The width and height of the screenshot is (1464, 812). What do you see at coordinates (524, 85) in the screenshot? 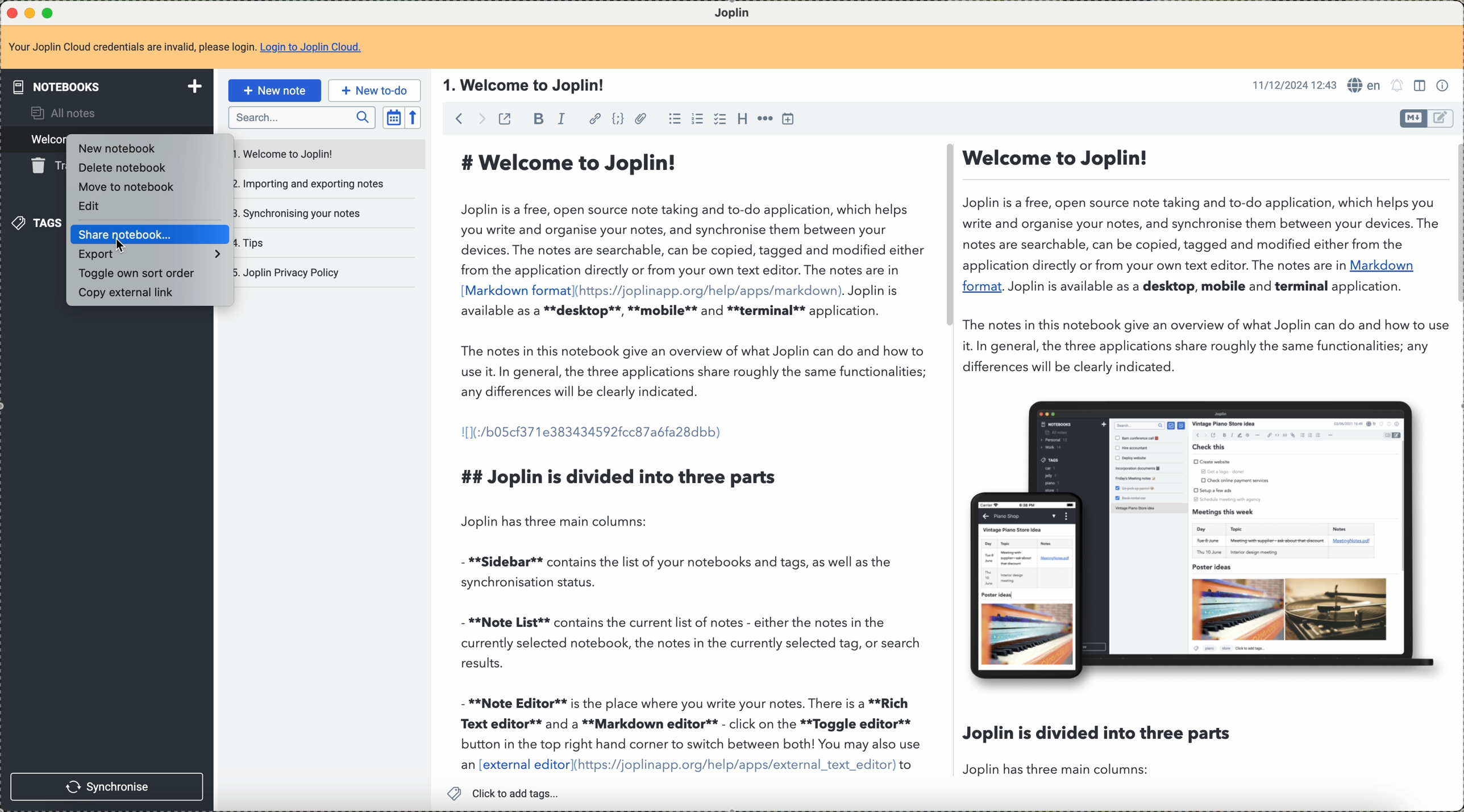
I see `1. Welcome to joplin!` at bounding box center [524, 85].